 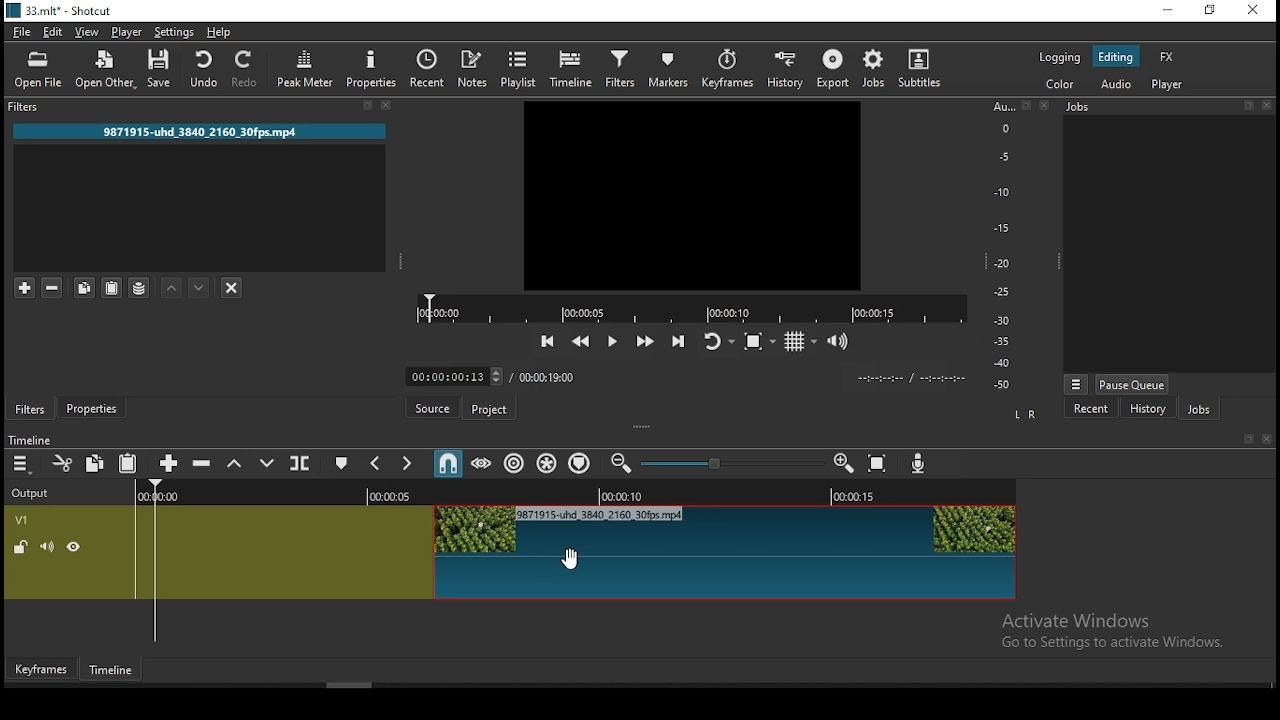 I want to click on scale, so click(x=1002, y=246).